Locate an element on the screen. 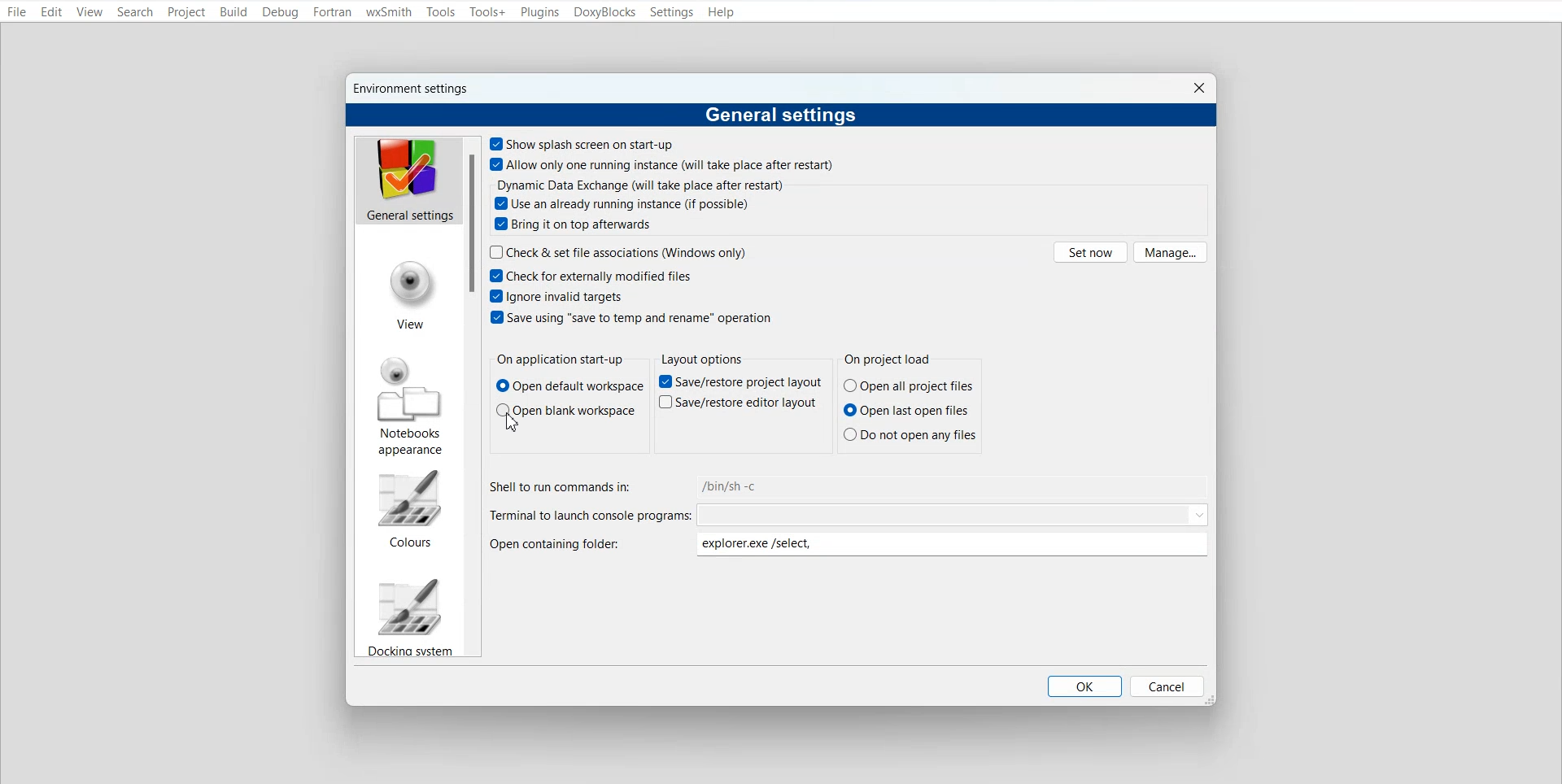 The width and height of the screenshot is (1562, 784). Colors is located at coordinates (408, 508).